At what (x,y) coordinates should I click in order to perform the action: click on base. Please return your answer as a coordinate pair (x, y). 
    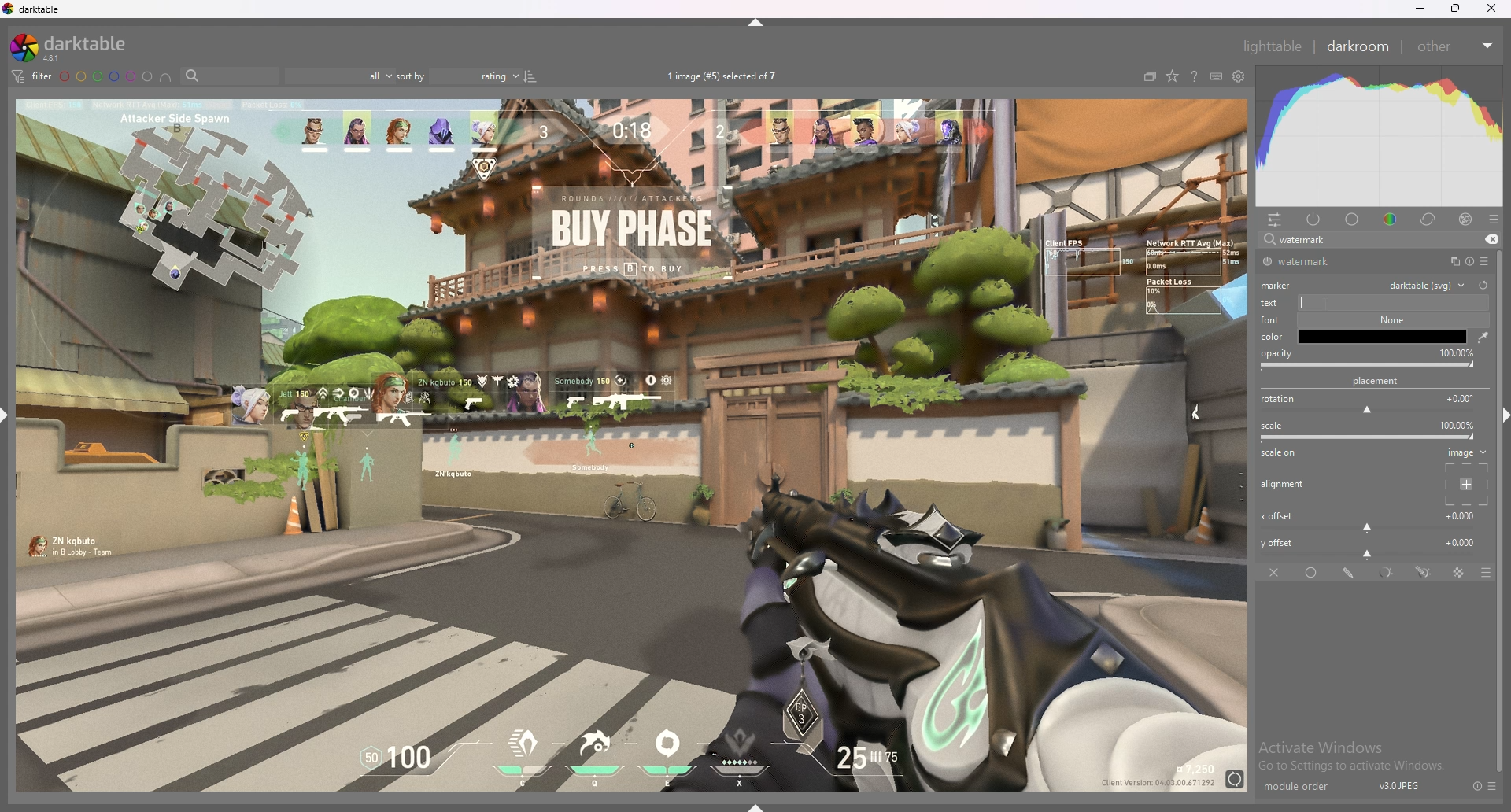
    Looking at the image, I should click on (1353, 220).